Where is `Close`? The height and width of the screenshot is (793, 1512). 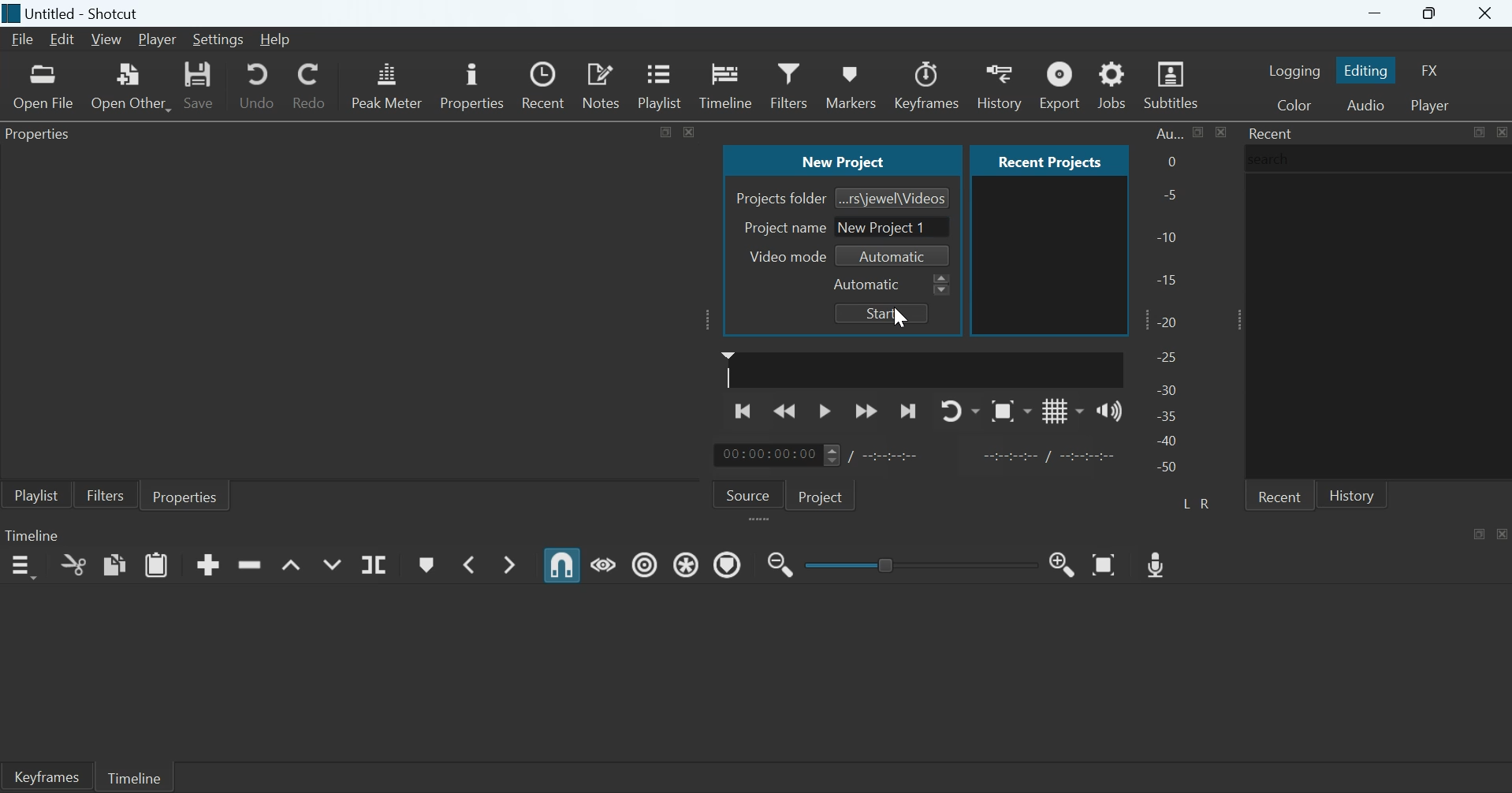
Close is located at coordinates (1487, 14).